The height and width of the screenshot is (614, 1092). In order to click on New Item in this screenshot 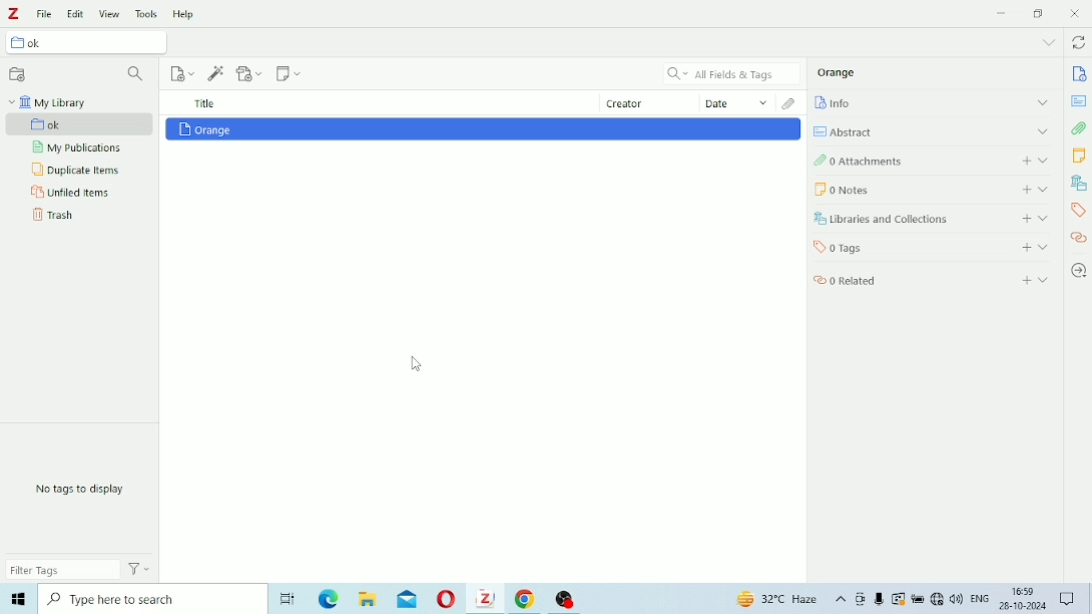, I will do `click(184, 73)`.